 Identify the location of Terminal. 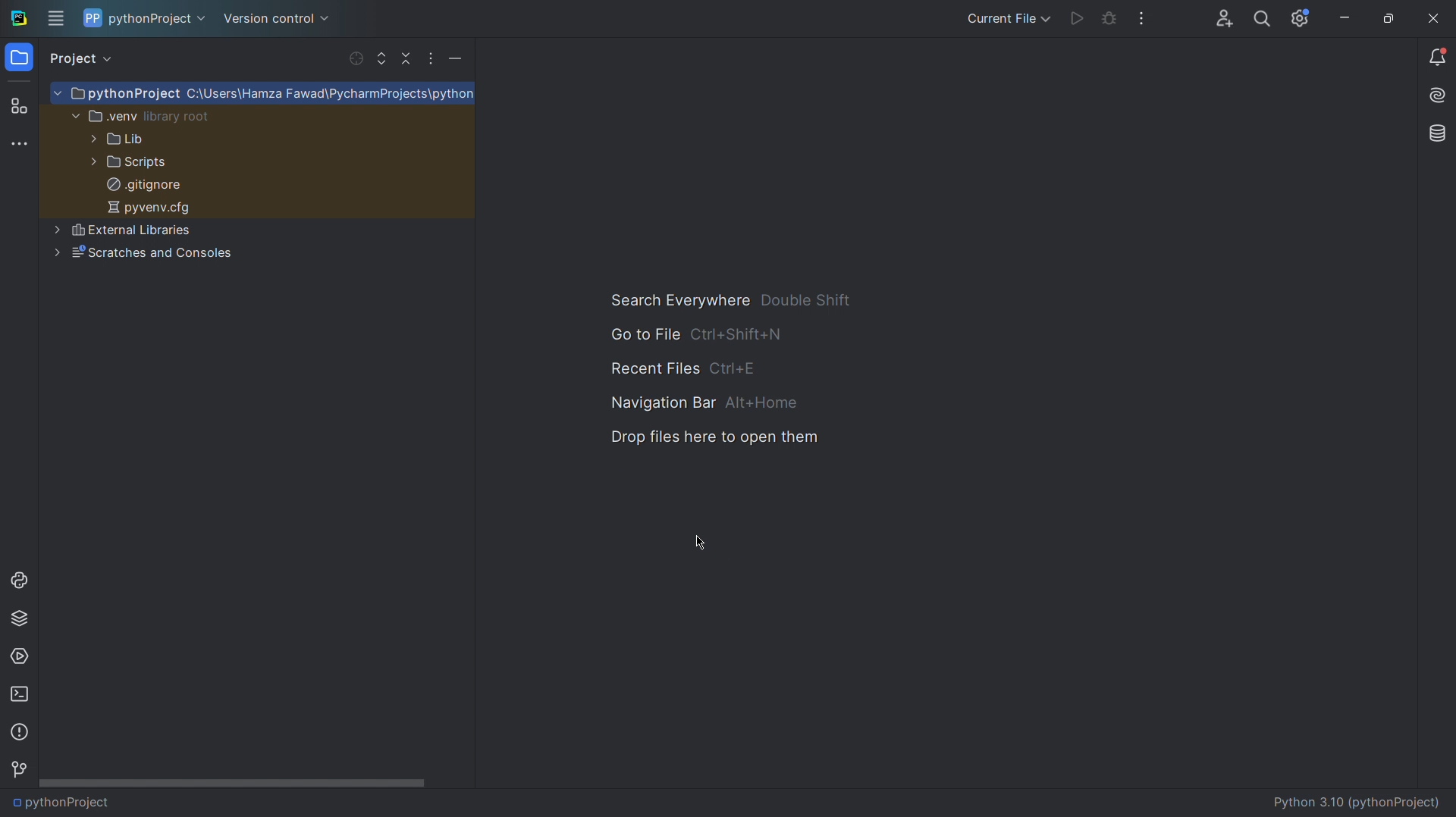
(21, 696).